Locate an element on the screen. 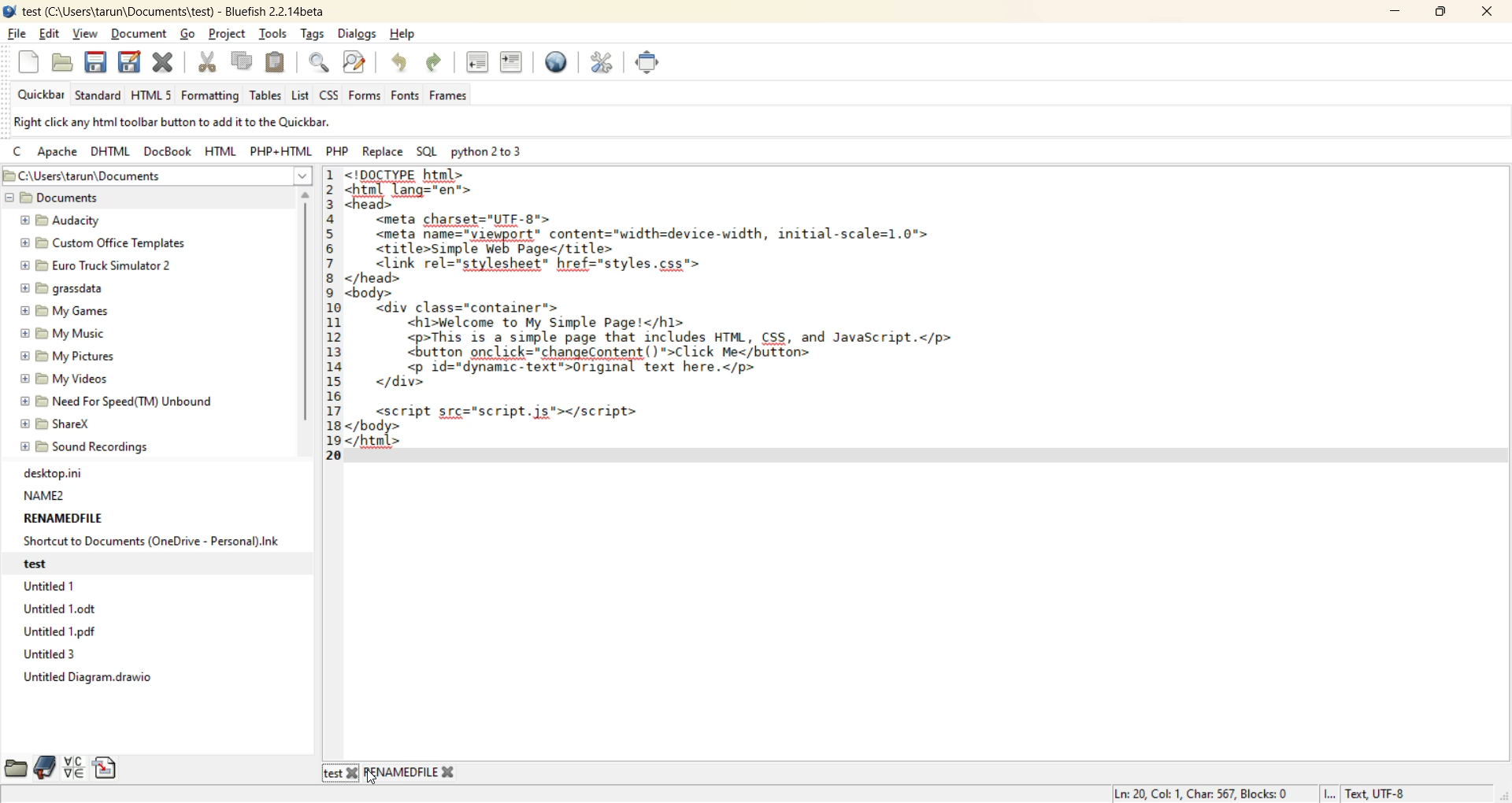  ShareX is located at coordinates (63, 422).